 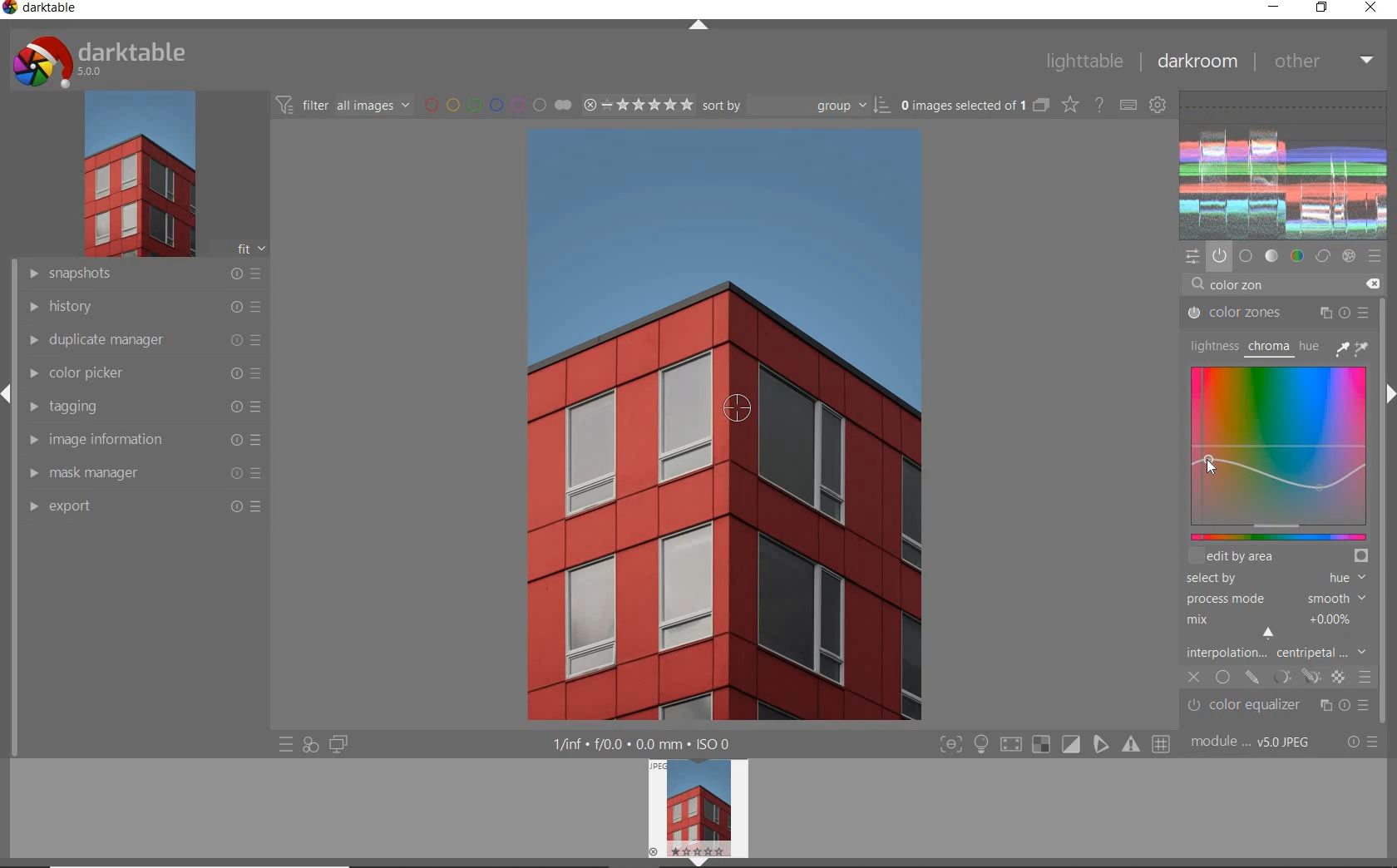 What do you see at coordinates (1212, 345) in the screenshot?
I see `LIGHTNESS` at bounding box center [1212, 345].